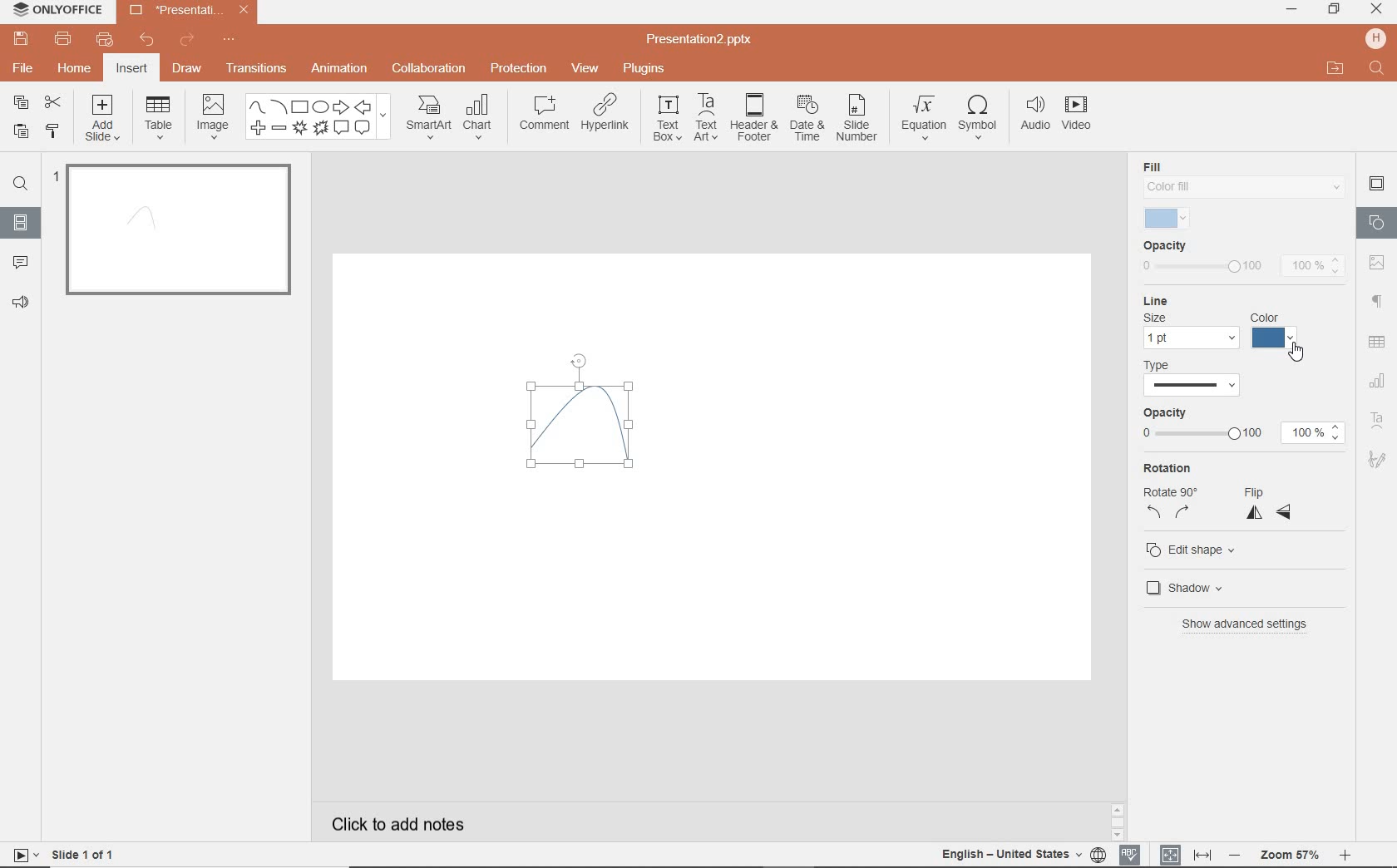  Describe the element at coordinates (62, 38) in the screenshot. I see `PRINT` at that location.